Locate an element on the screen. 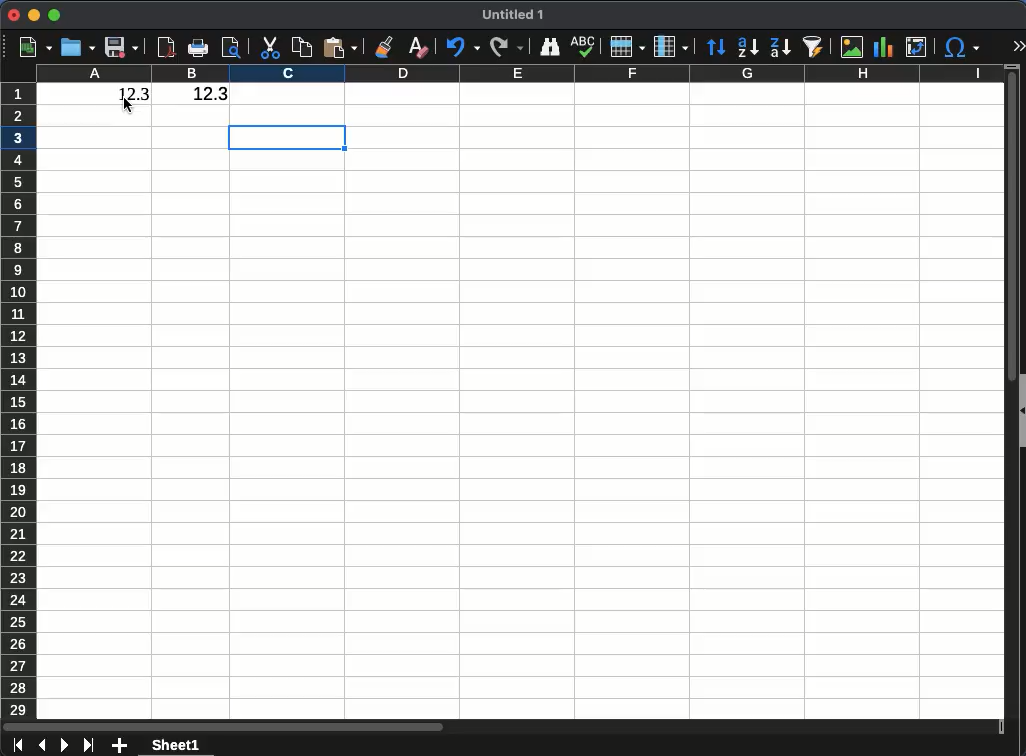 The height and width of the screenshot is (756, 1026). previous sheet is located at coordinates (41, 745).